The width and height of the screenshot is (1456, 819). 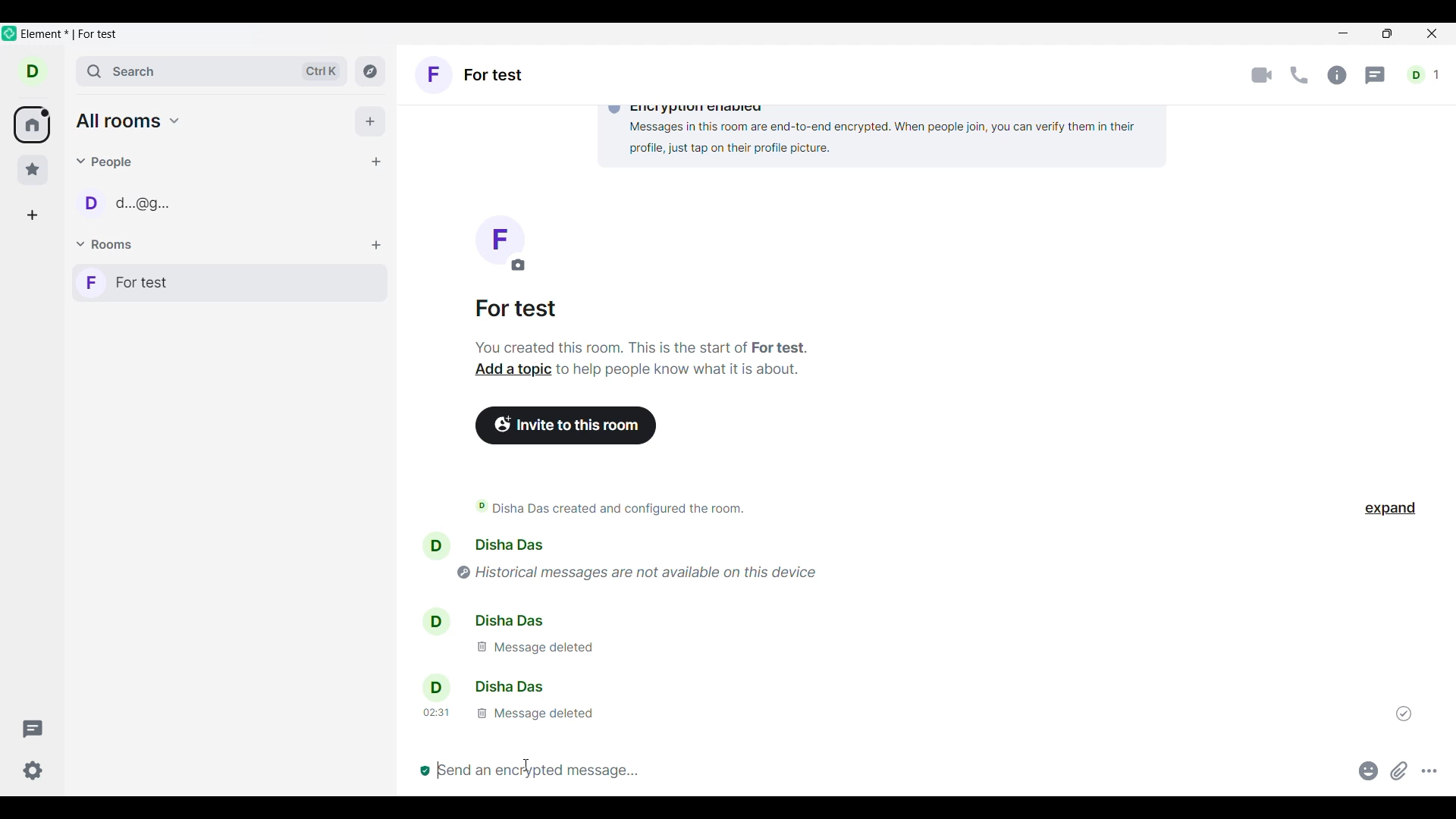 What do you see at coordinates (507, 372) in the screenshot?
I see `add a topic` at bounding box center [507, 372].